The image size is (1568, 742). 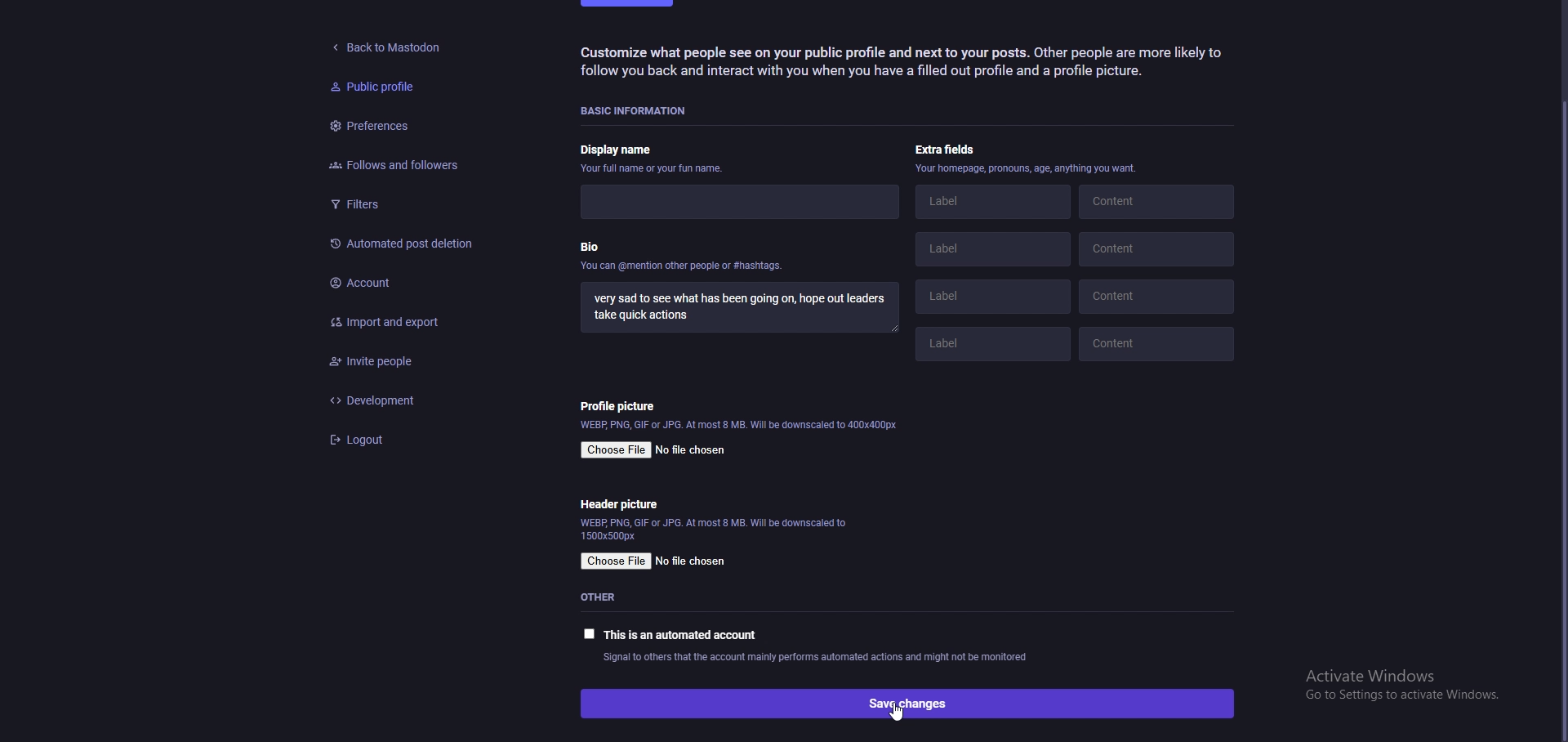 What do you see at coordinates (388, 165) in the screenshot?
I see `Follows and followers` at bounding box center [388, 165].